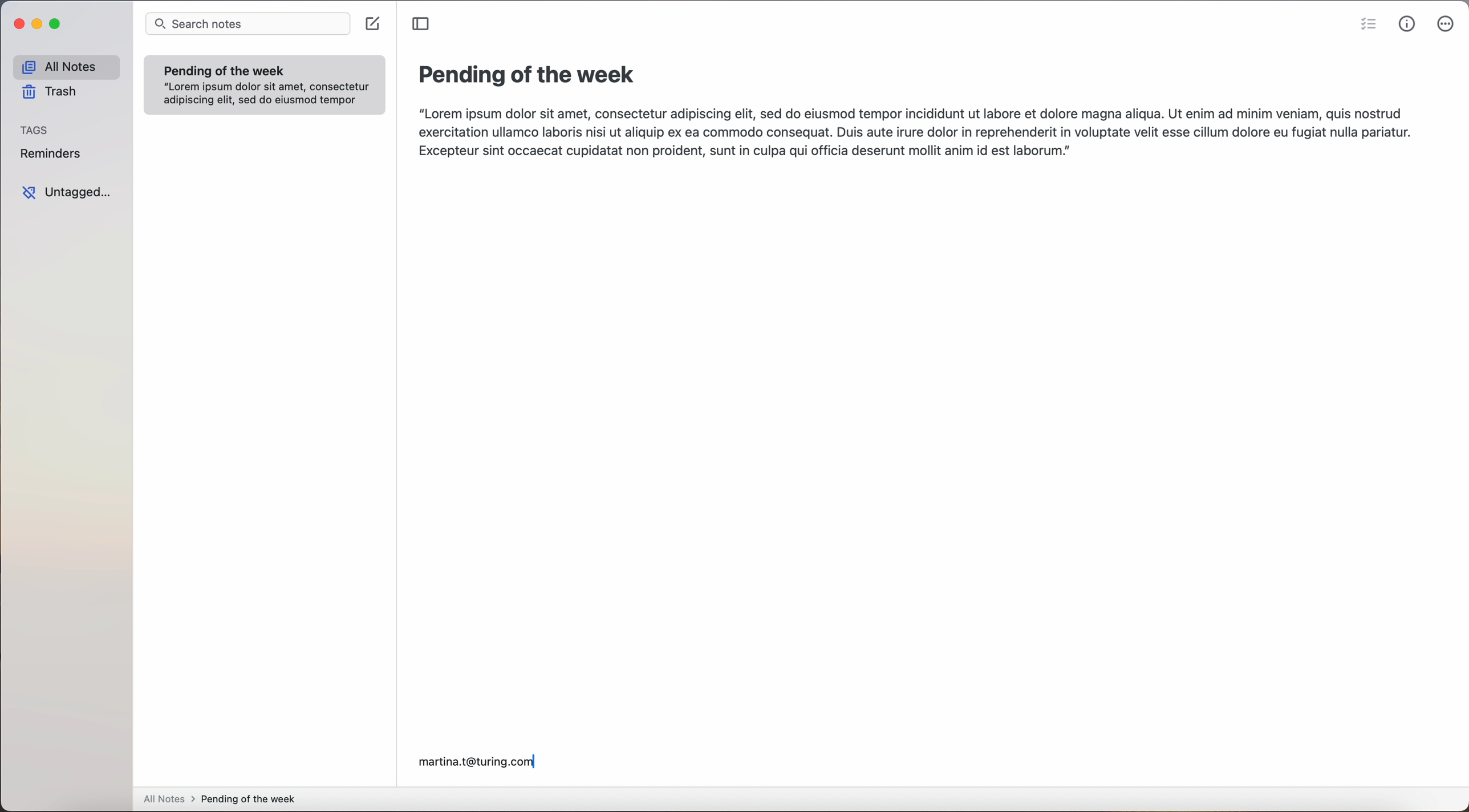 The width and height of the screenshot is (1469, 812). I want to click on tags, so click(34, 129).